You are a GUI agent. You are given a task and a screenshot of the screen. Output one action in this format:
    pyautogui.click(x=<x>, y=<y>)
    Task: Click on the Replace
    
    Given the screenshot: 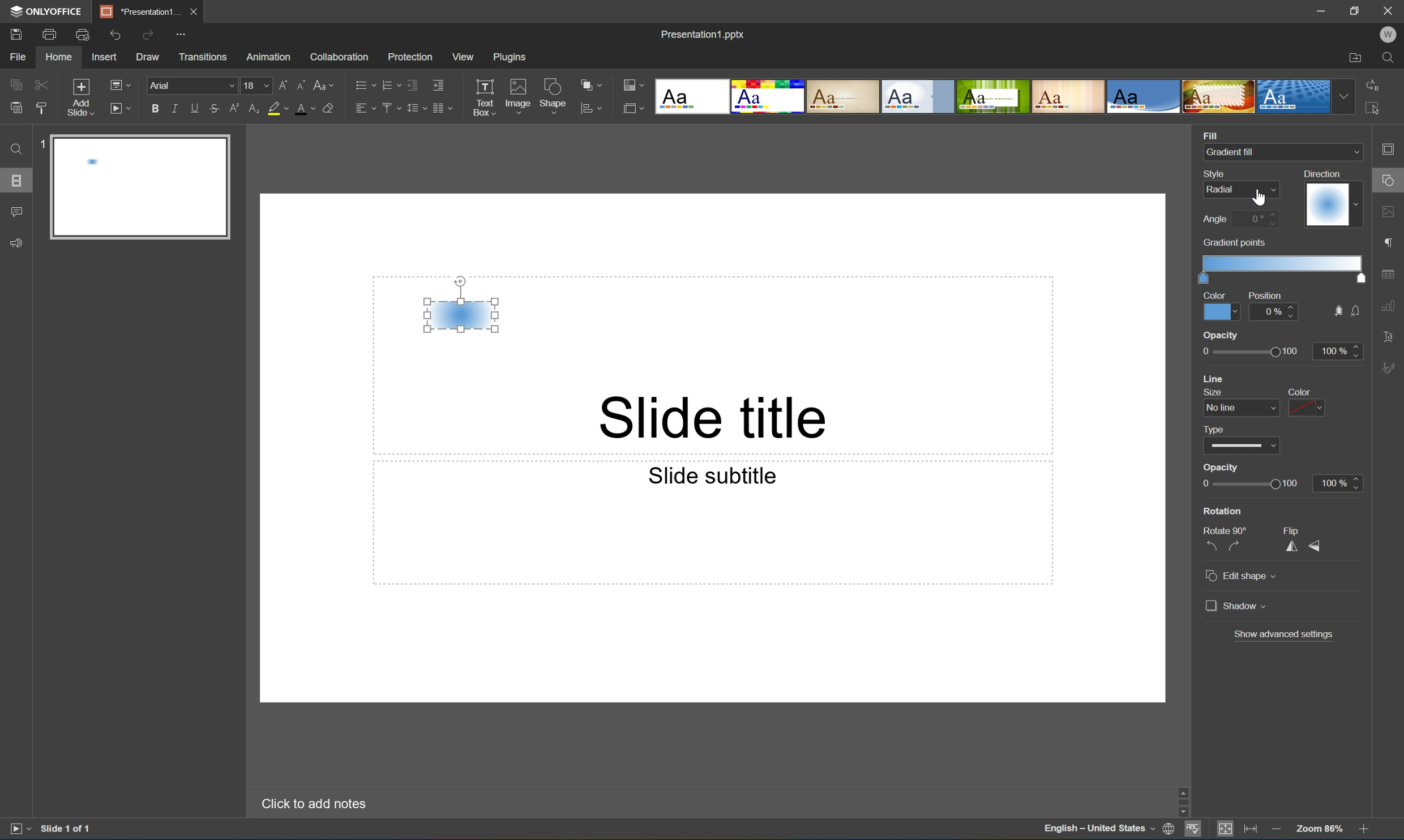 What is the action you would take?
    pyautogui.click(x=1372, y=83)
    